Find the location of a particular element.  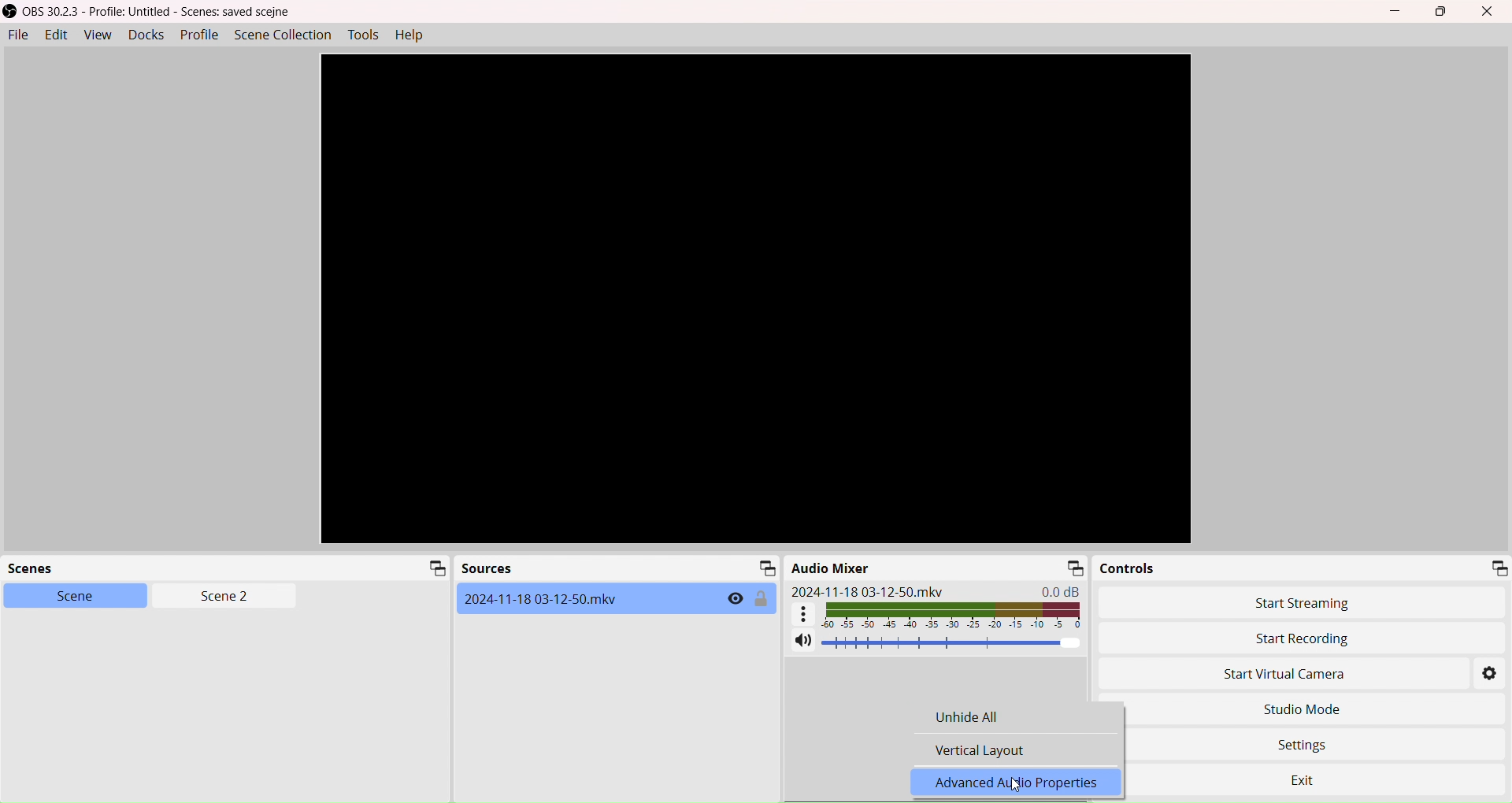

Close is located at coordinates (1492, 12).